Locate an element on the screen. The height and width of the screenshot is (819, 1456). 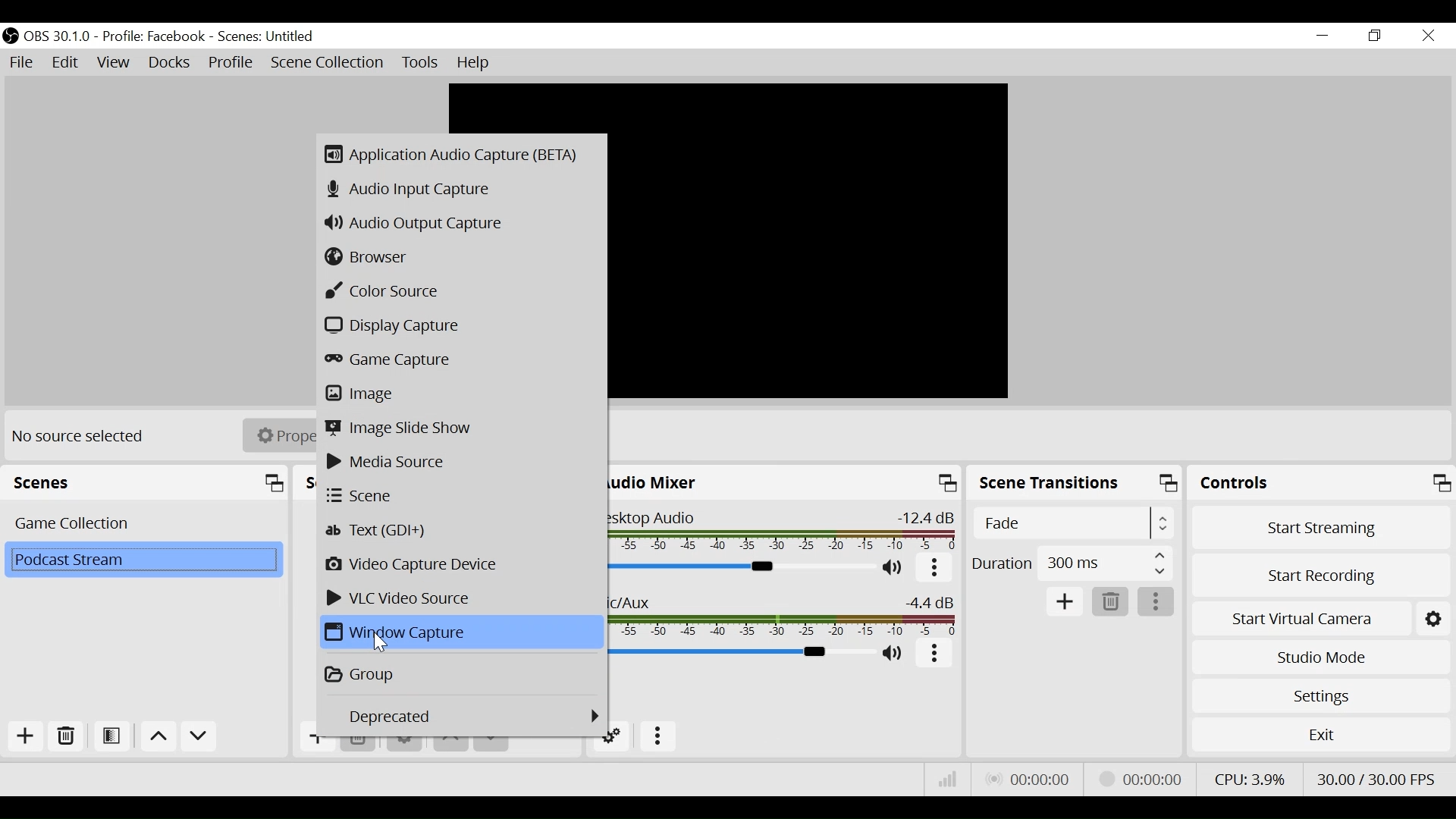
(un)mute is located at coordinates (898, 571).